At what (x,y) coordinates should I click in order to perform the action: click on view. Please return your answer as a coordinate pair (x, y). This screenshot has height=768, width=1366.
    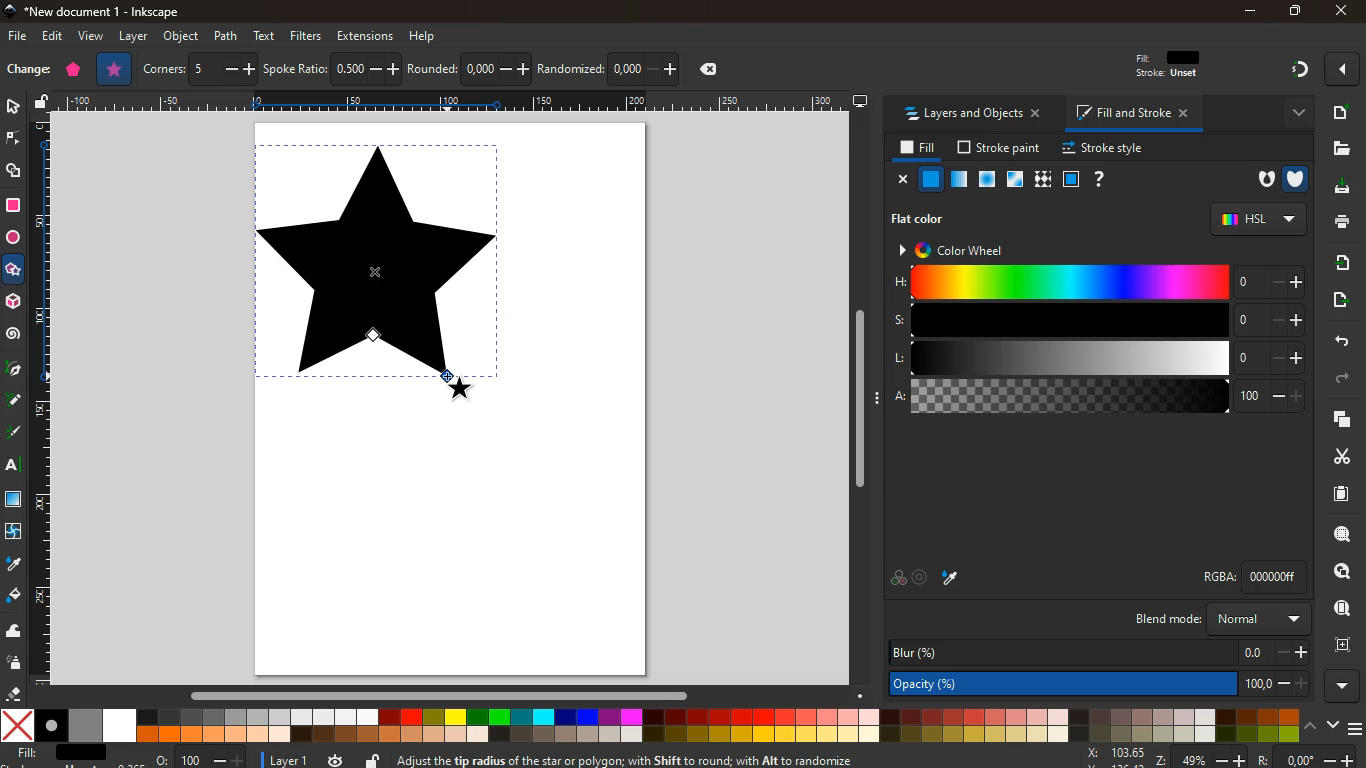
    Looking at the image, I should click on (93, 36).